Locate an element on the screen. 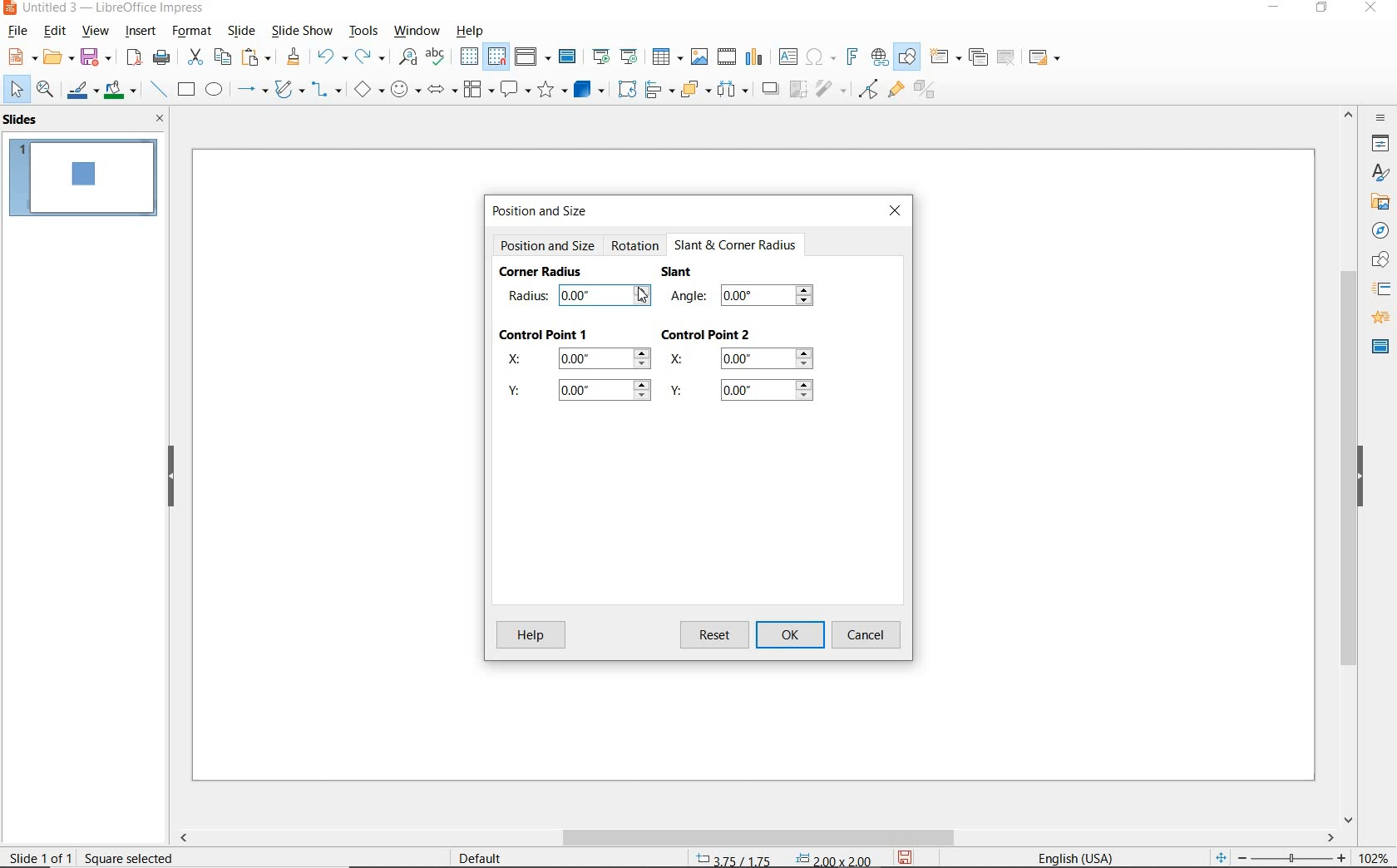 This screenshot has width=1397, height=868. align objects is located at coordinates (659, 91).